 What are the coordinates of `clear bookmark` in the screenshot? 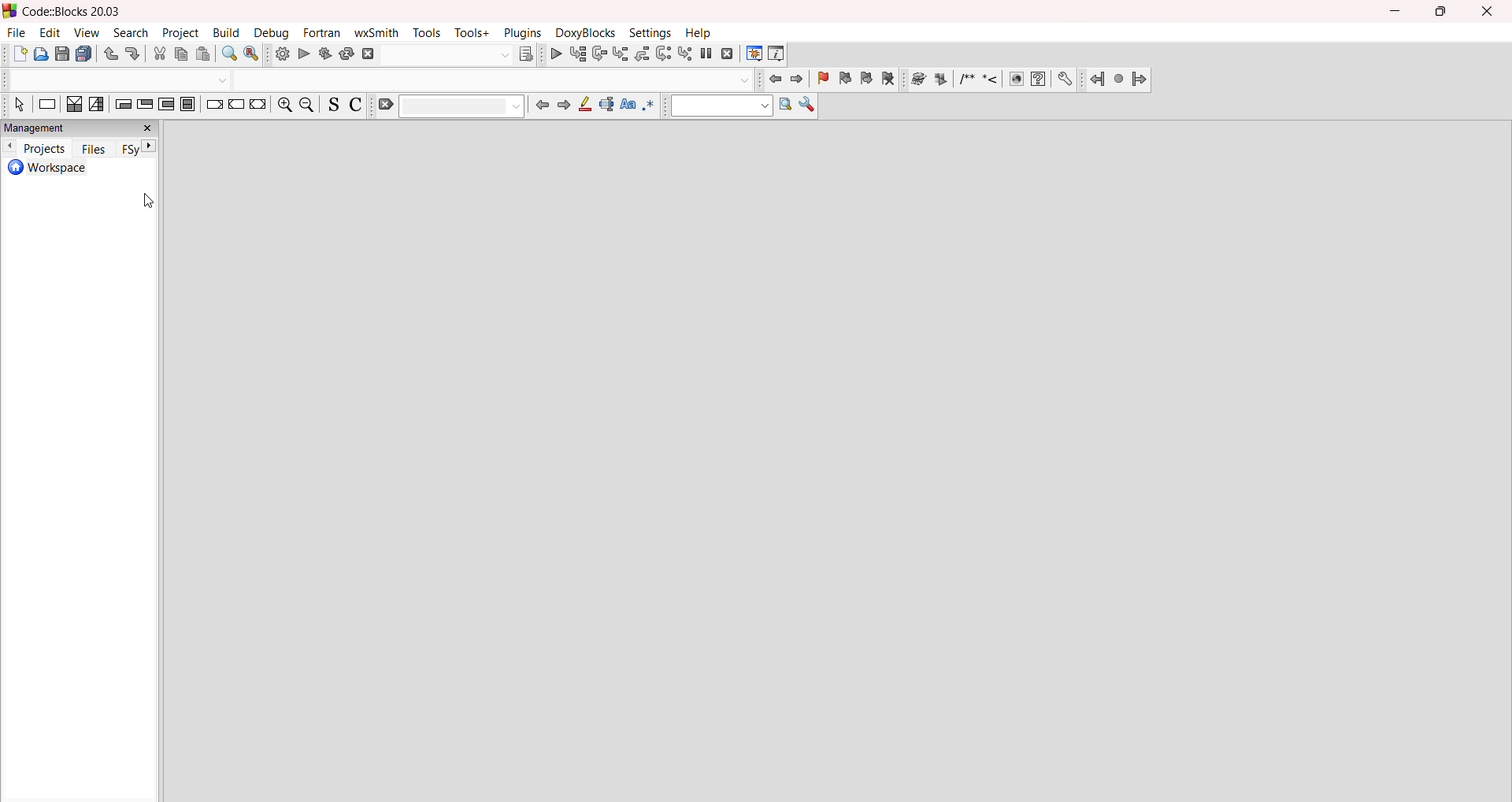 It's located at (891, 80).